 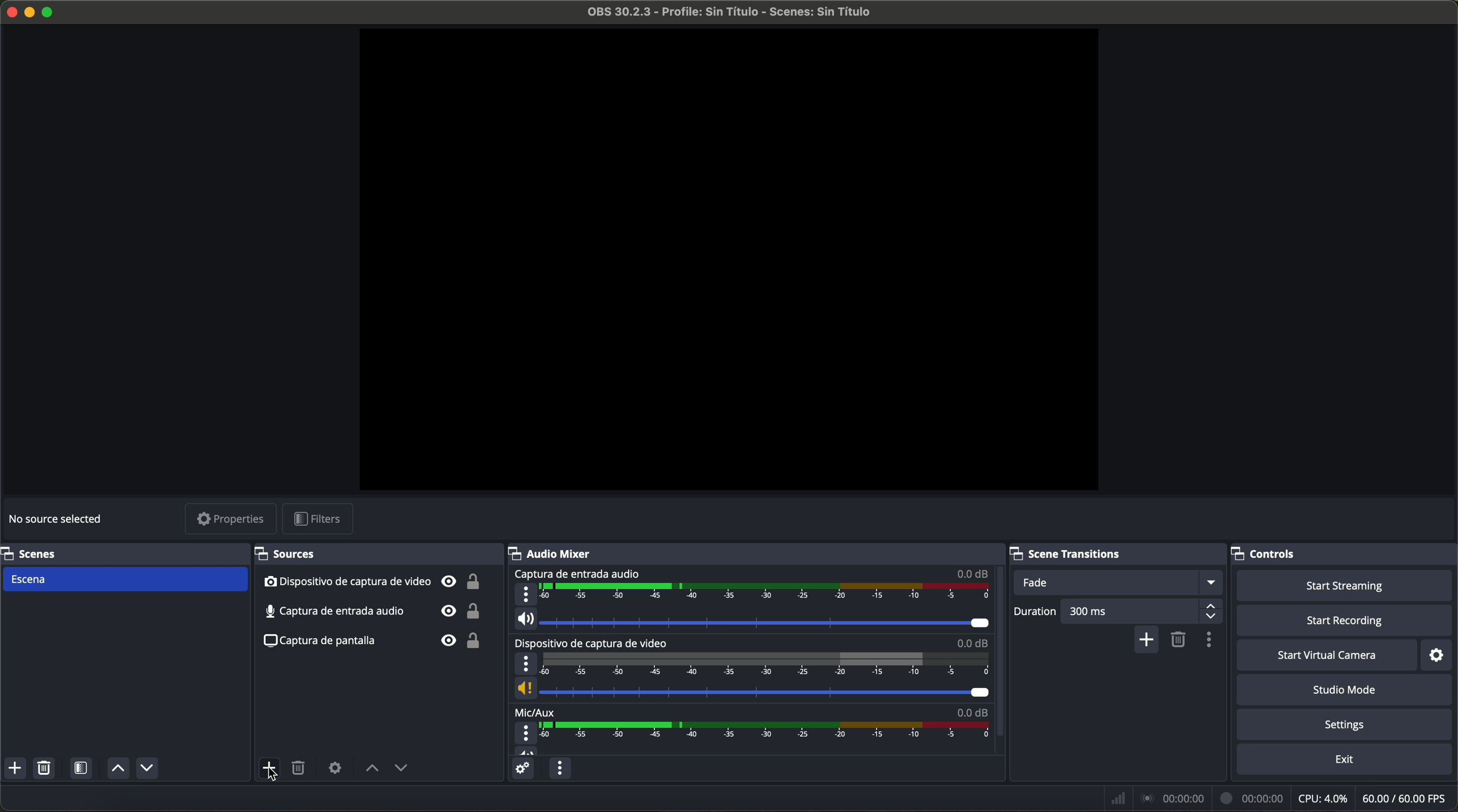 What do you see at coordinates (301, 768) in the screenshot?
I see `remove selected source` at bounding box center [301, 768].